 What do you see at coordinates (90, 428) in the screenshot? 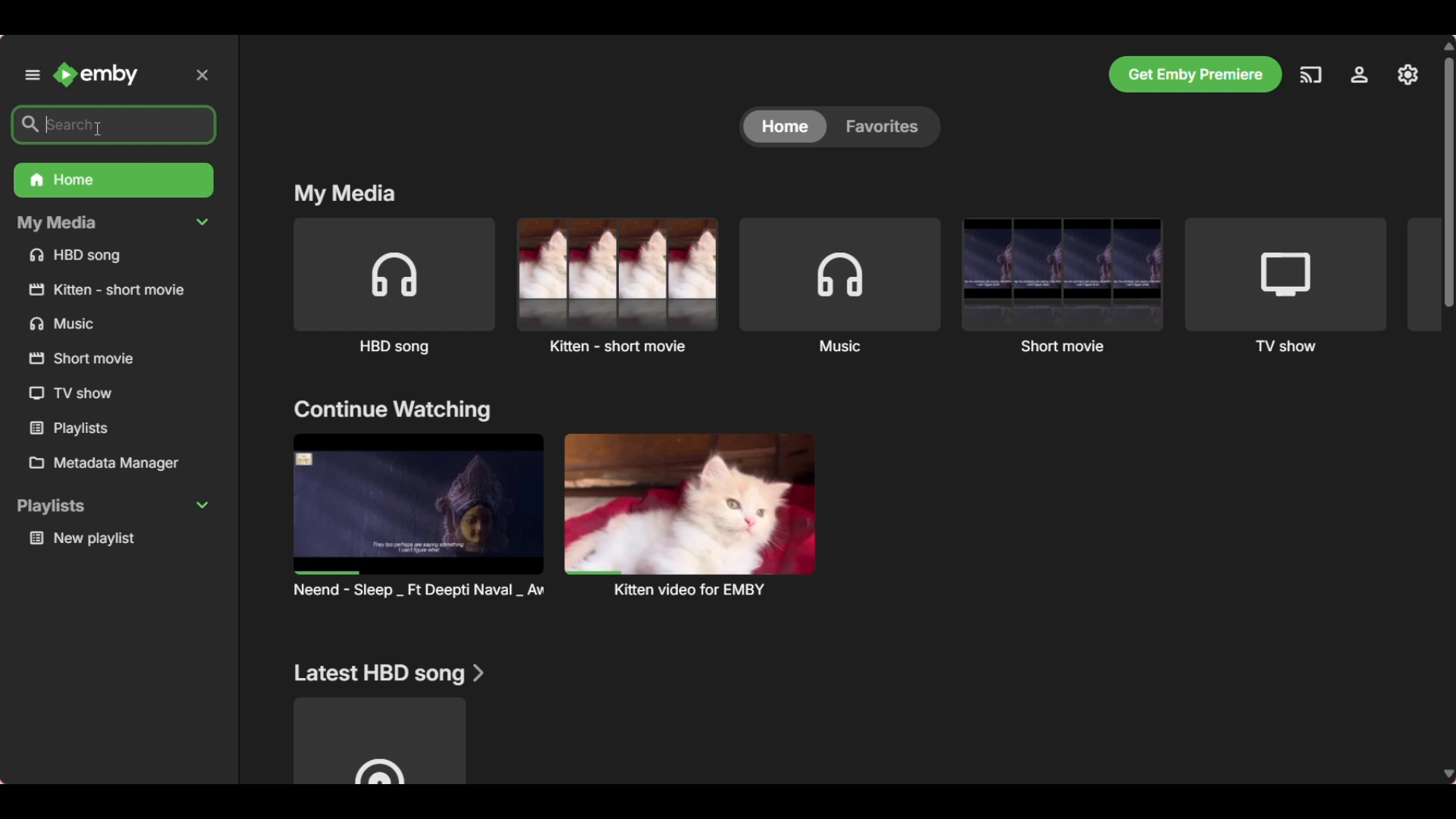
I see `` at bounding box center [90, 428].